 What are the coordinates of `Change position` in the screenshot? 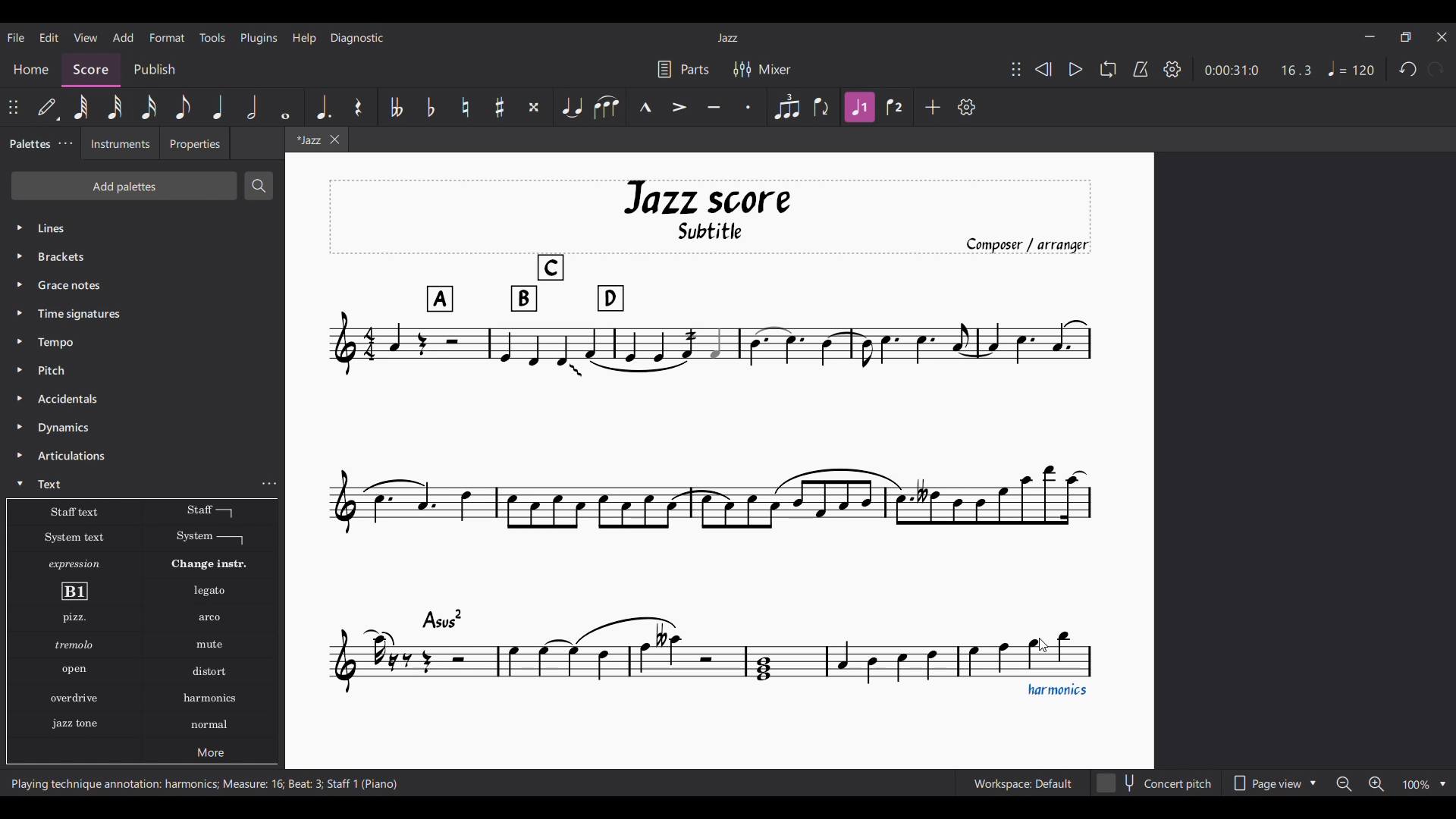 It's located at (1016, 69).